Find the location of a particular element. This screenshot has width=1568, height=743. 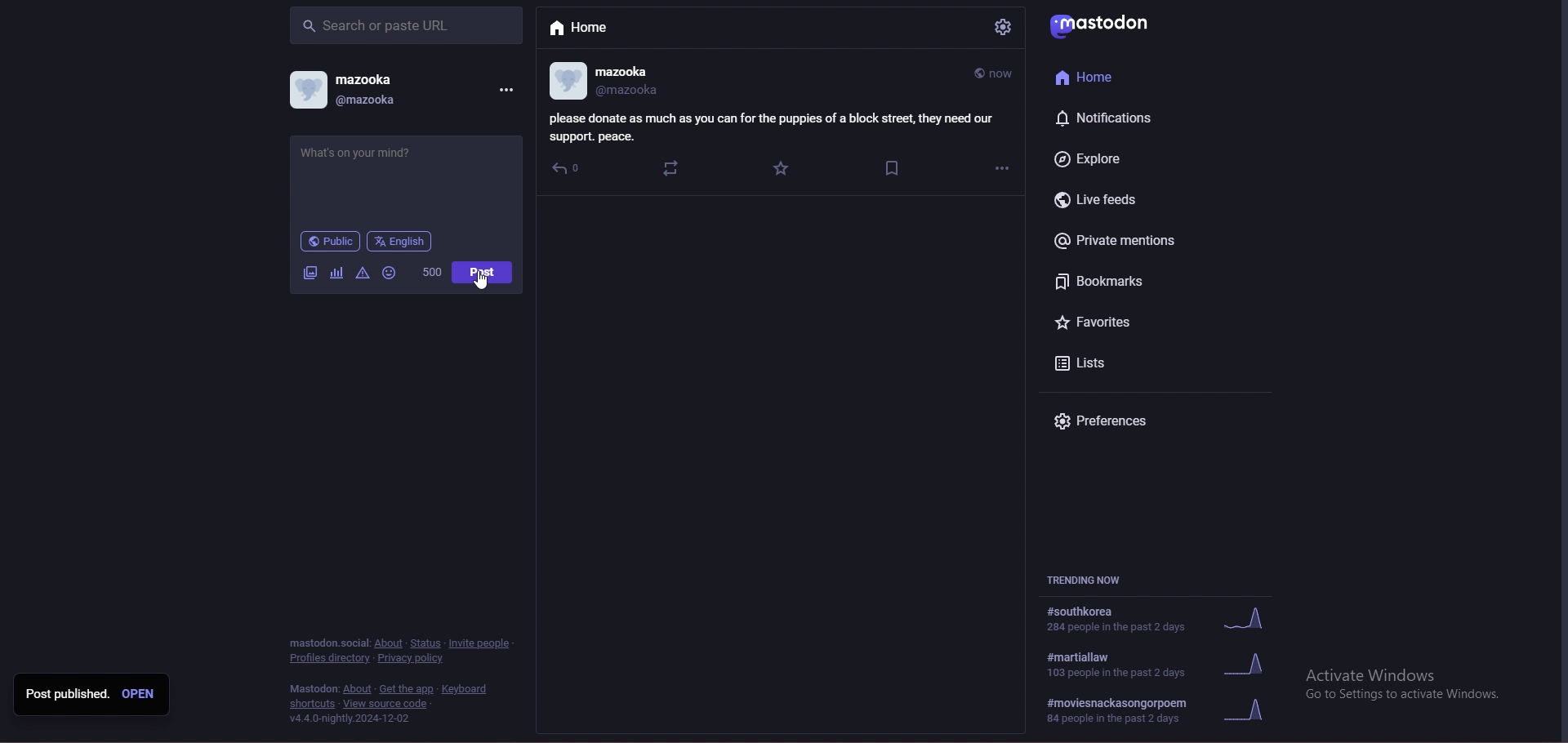

explore is located at coordinates (1134, 159).